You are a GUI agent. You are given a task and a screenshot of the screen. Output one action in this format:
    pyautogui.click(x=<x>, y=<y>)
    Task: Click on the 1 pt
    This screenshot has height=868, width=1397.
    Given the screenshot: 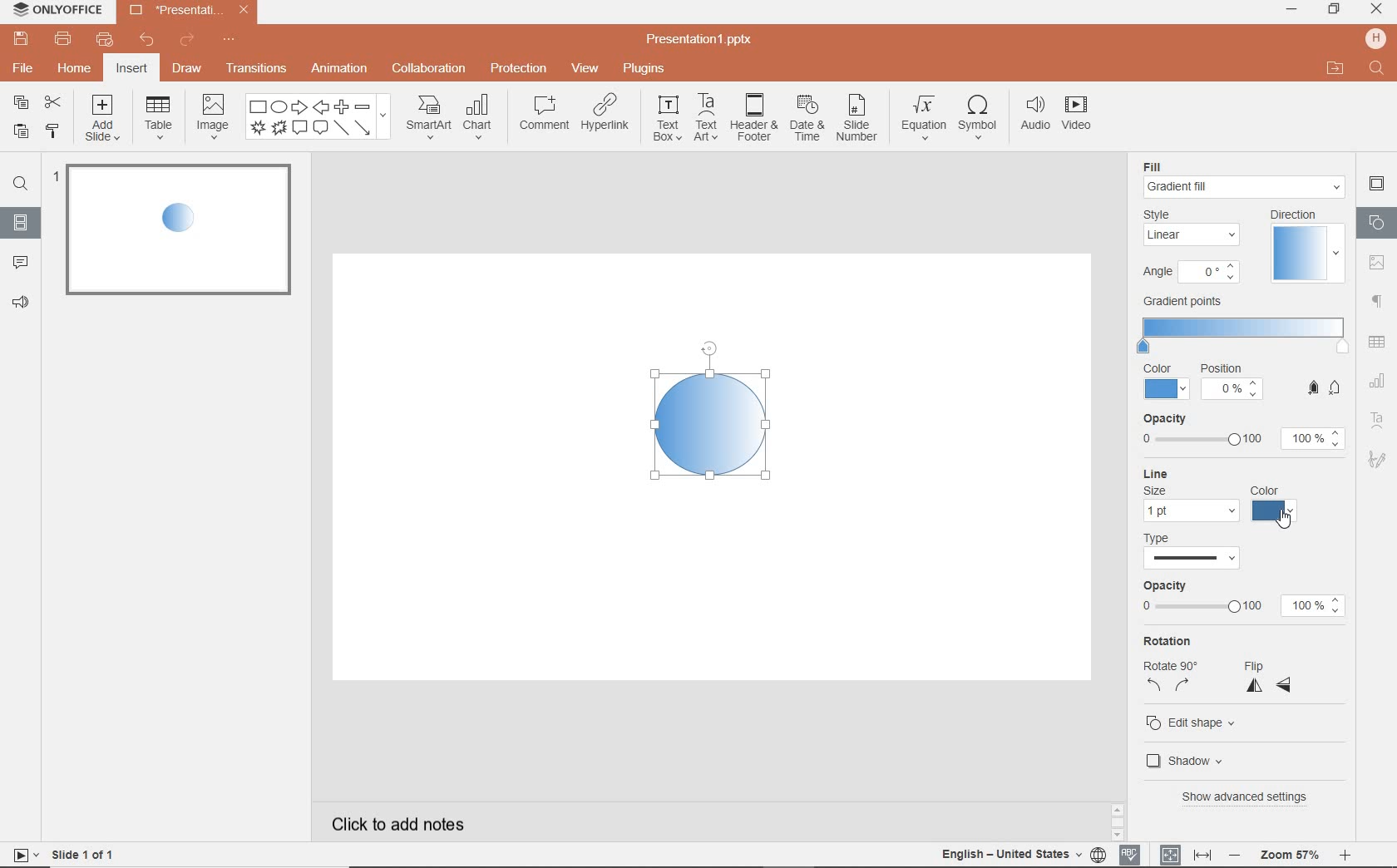 What is the action you would take?
    pyautogui.click(x=1189, y=511)
    